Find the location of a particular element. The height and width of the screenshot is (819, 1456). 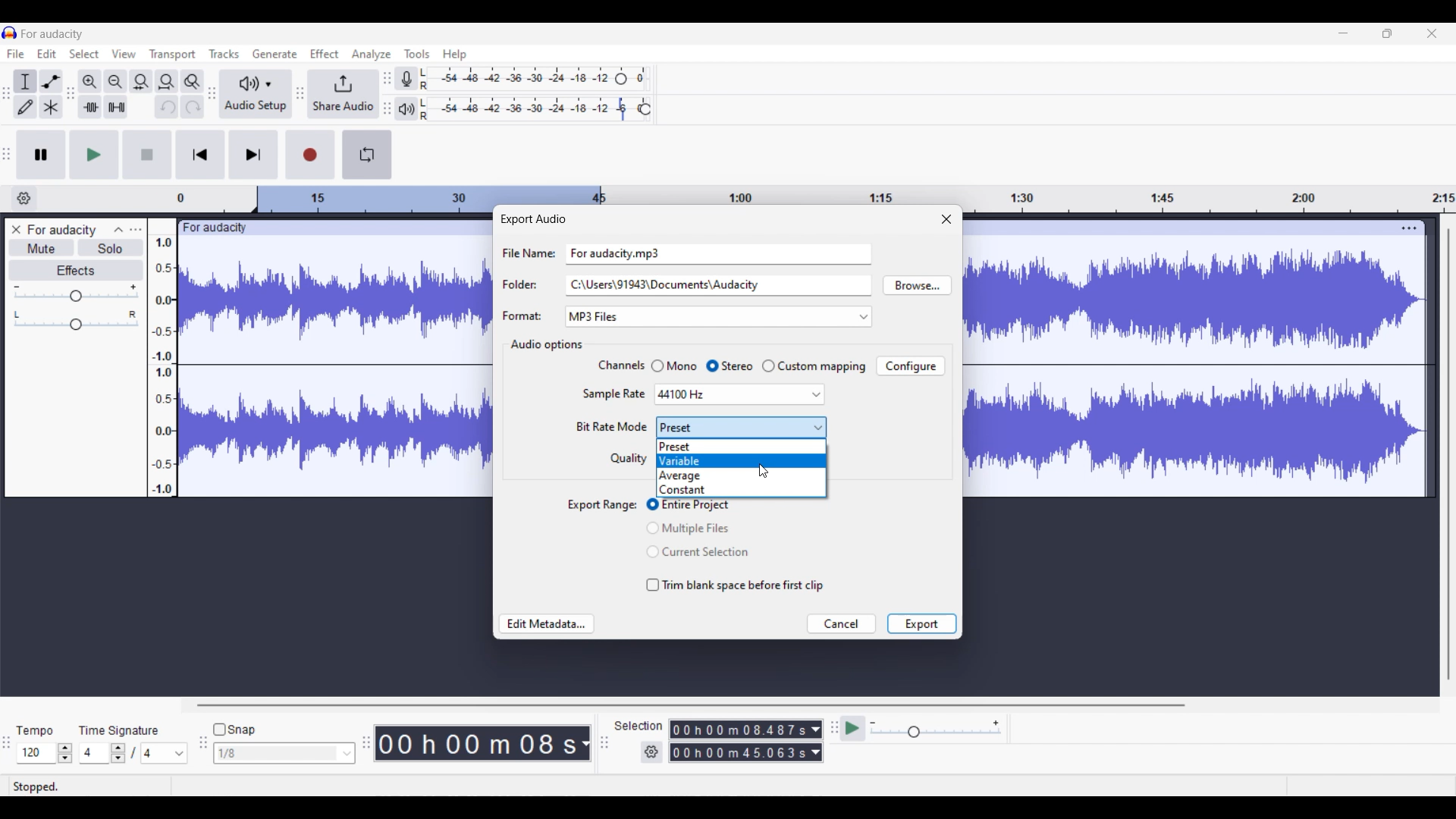

Minimize is located at coordinates (1343, 33).